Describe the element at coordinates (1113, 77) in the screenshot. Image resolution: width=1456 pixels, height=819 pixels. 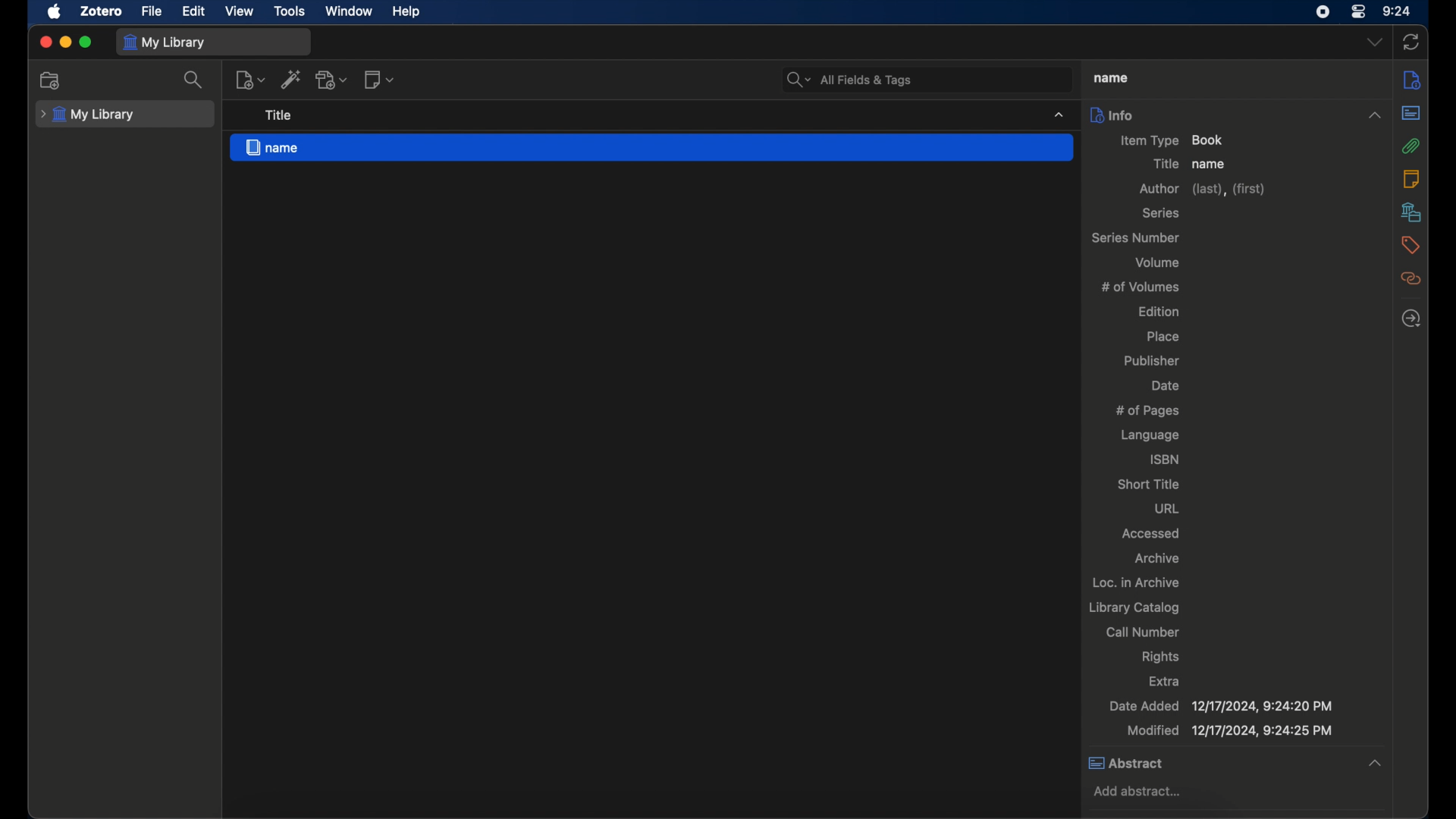
I see `title` at that location.